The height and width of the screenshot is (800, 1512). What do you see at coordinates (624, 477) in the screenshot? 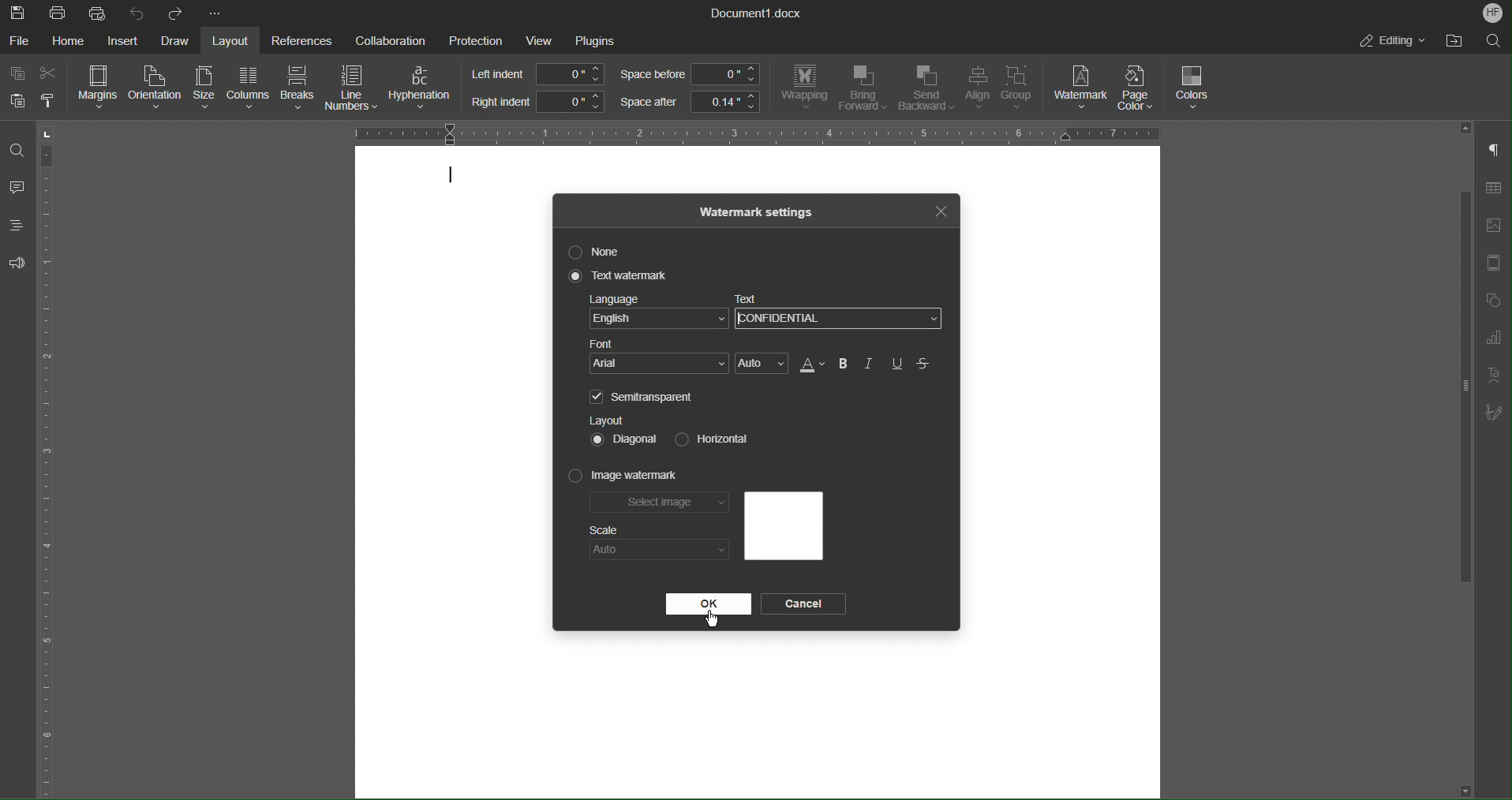
I see `Image Watermark` at bounding box center [624, 477].